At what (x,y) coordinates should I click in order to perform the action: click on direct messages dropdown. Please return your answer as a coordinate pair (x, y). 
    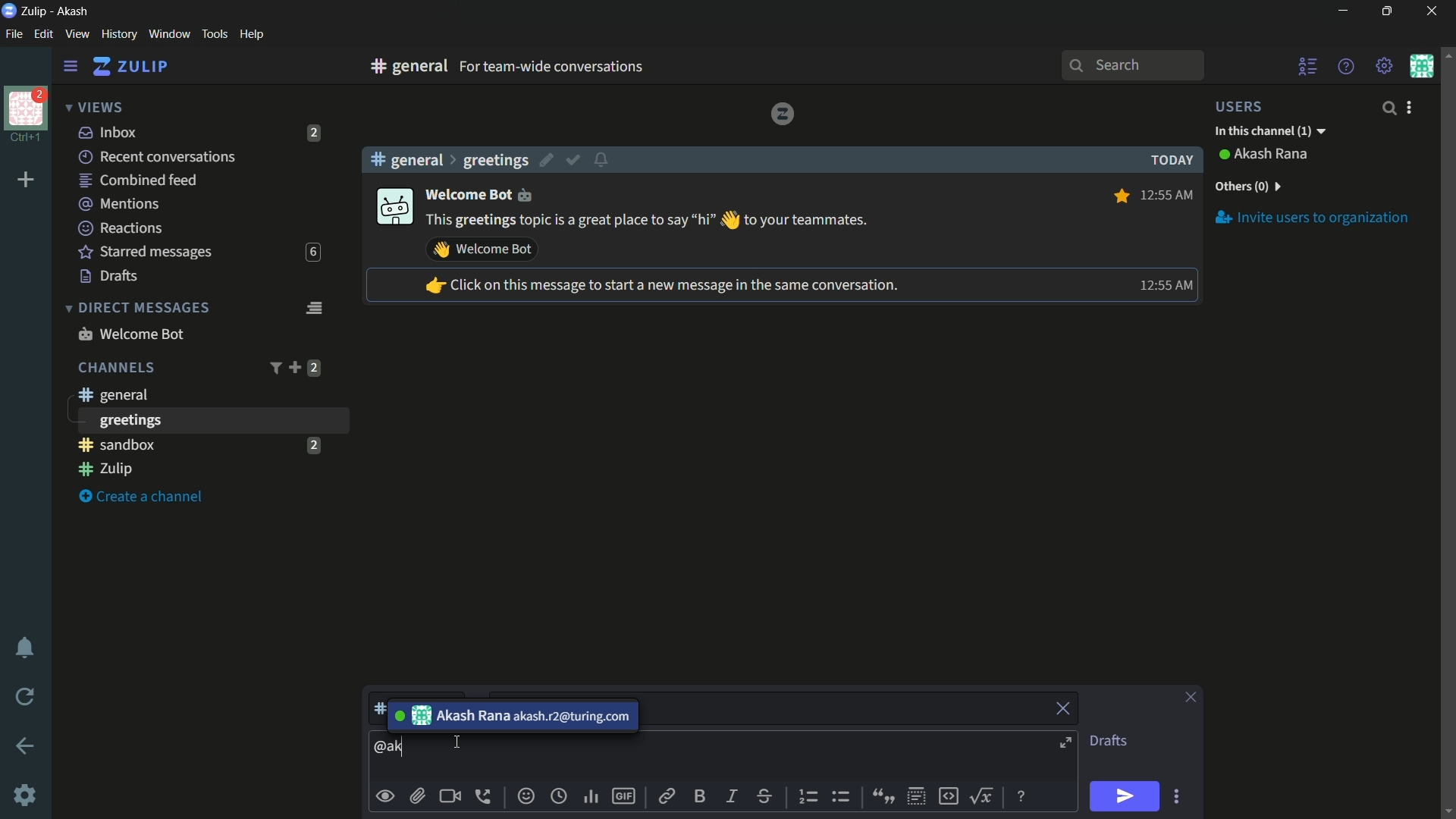
    Looking at the image, I should click on (136, 309).